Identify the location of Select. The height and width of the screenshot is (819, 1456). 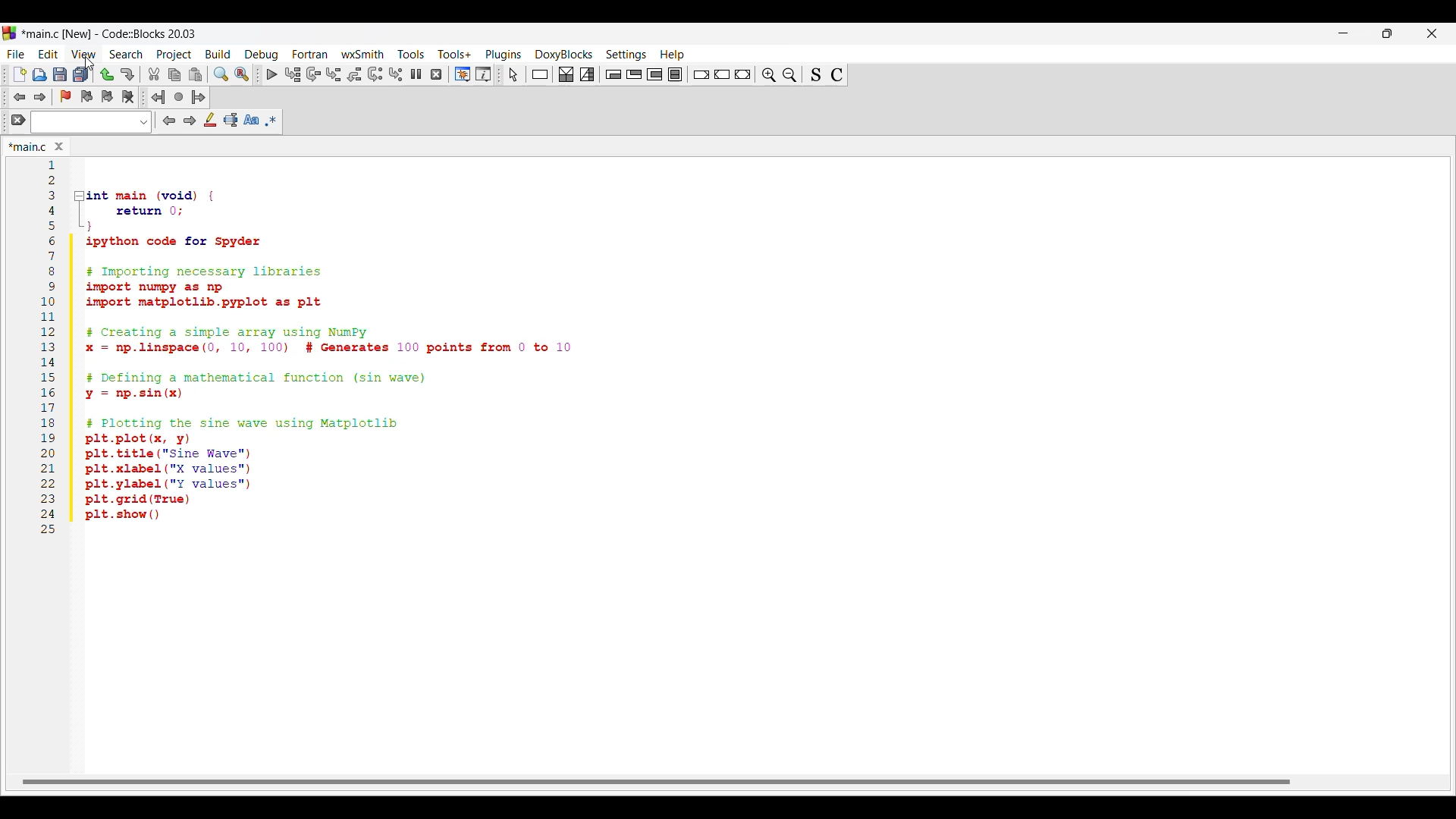
(513, 74).